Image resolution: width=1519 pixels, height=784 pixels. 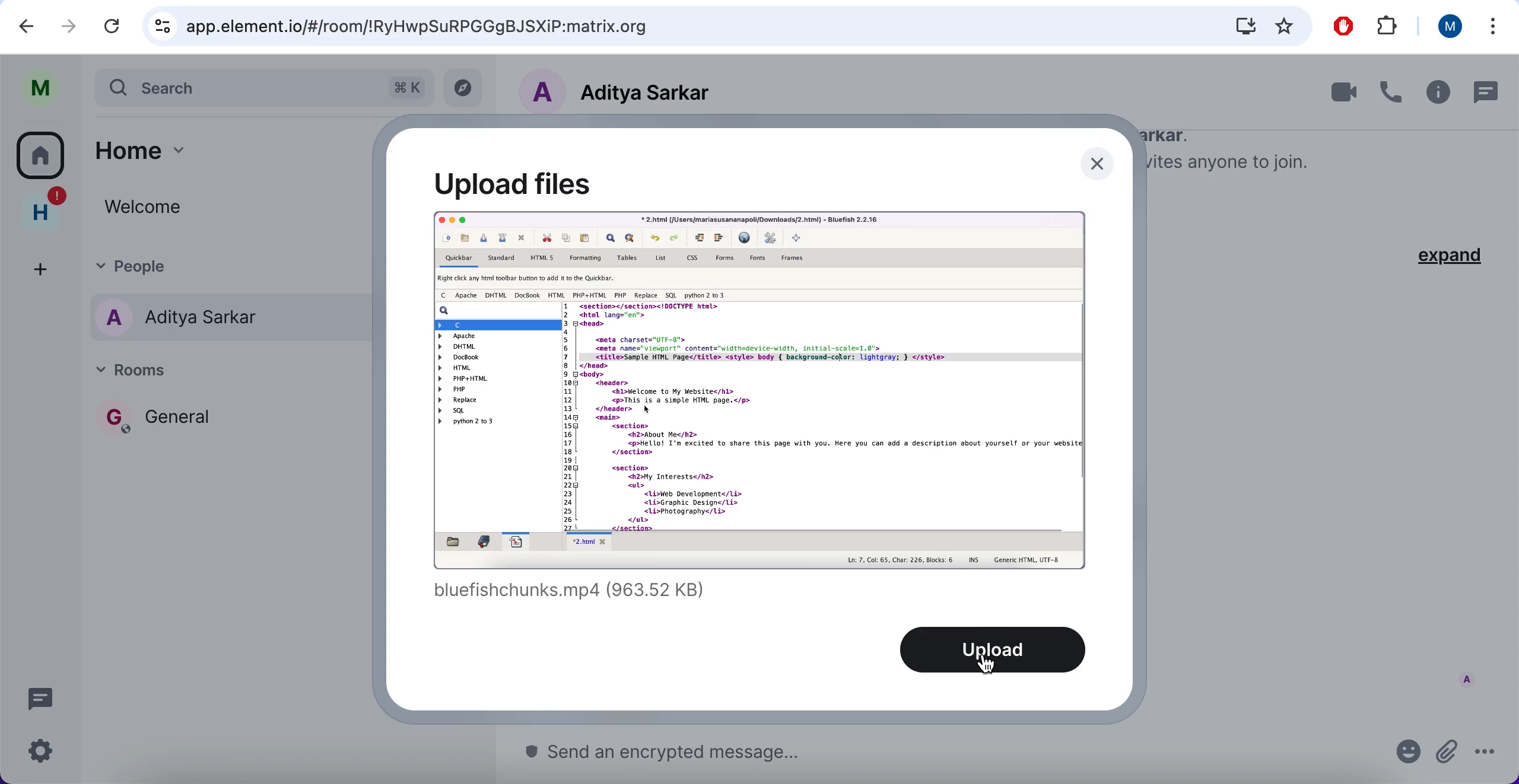 What do you see at coordinates (1390, 25) in the screenshot?
I see `extensions` at bounding box center [1390, 25].